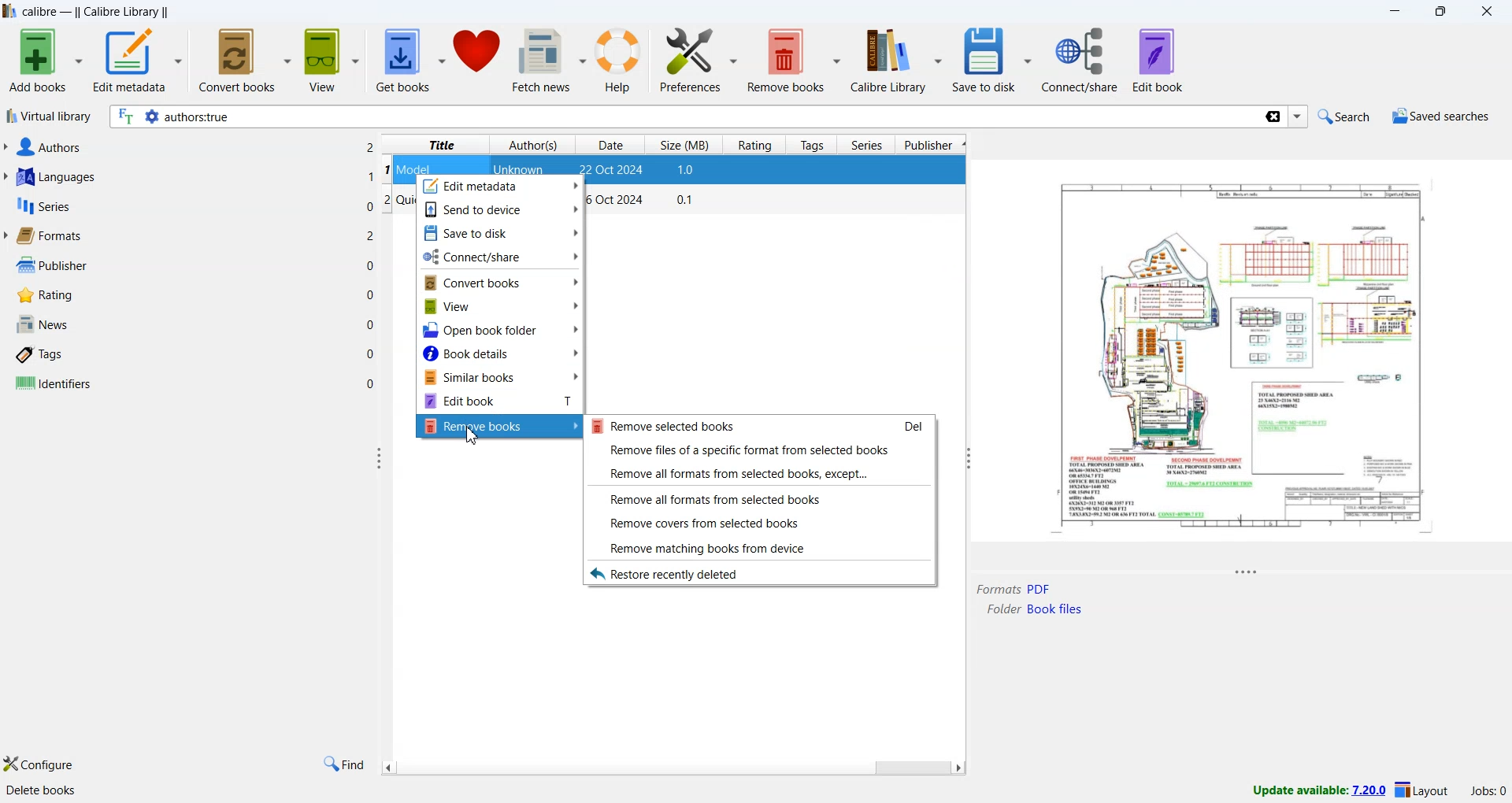 The height and width of the screenshot is (803, 1512). Describe the element at coordinates (380, 458) in the screenshot. I see `customize width` at that location.